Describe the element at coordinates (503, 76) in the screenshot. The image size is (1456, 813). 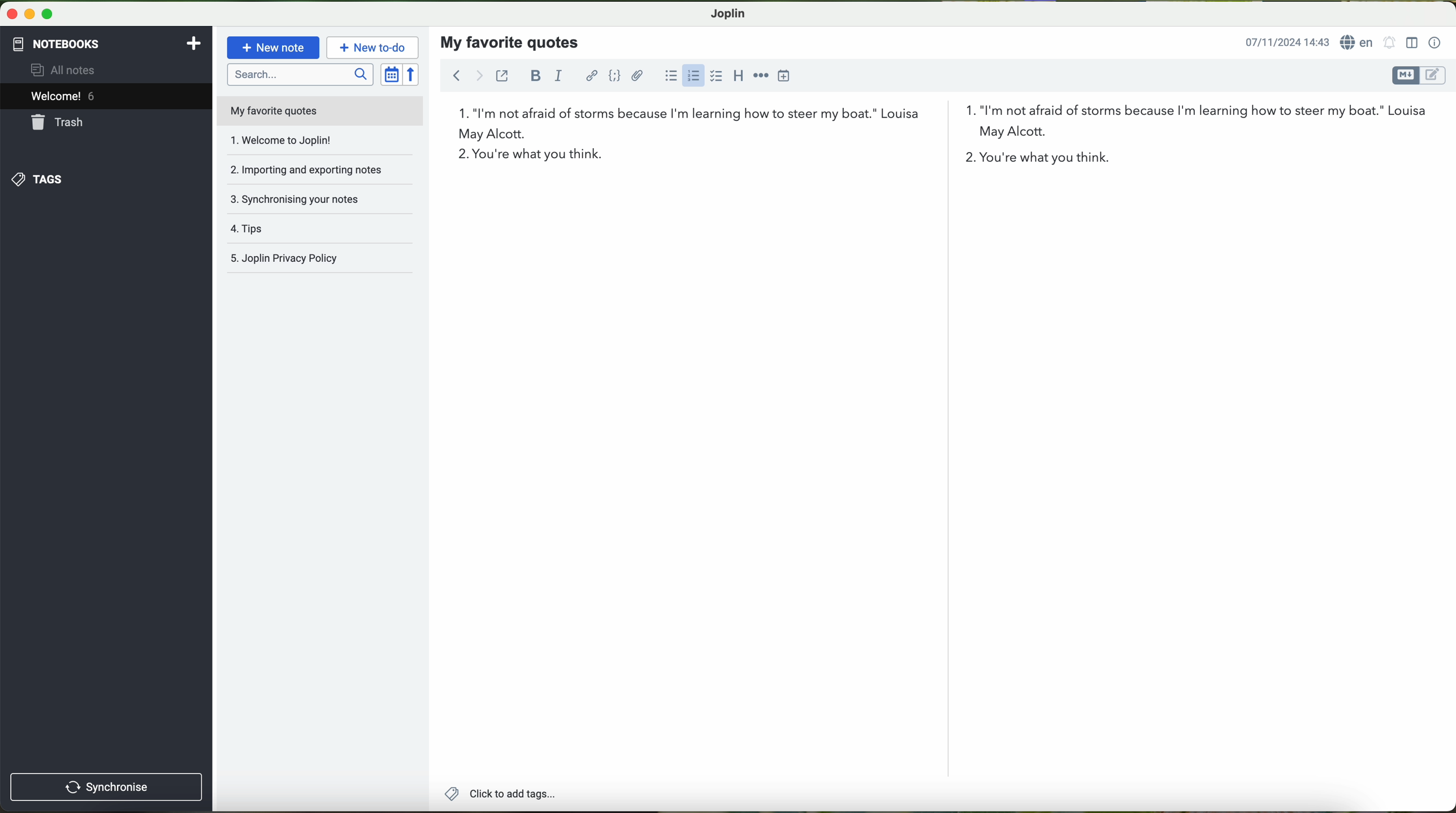
I see `toggle external editing` at that location.